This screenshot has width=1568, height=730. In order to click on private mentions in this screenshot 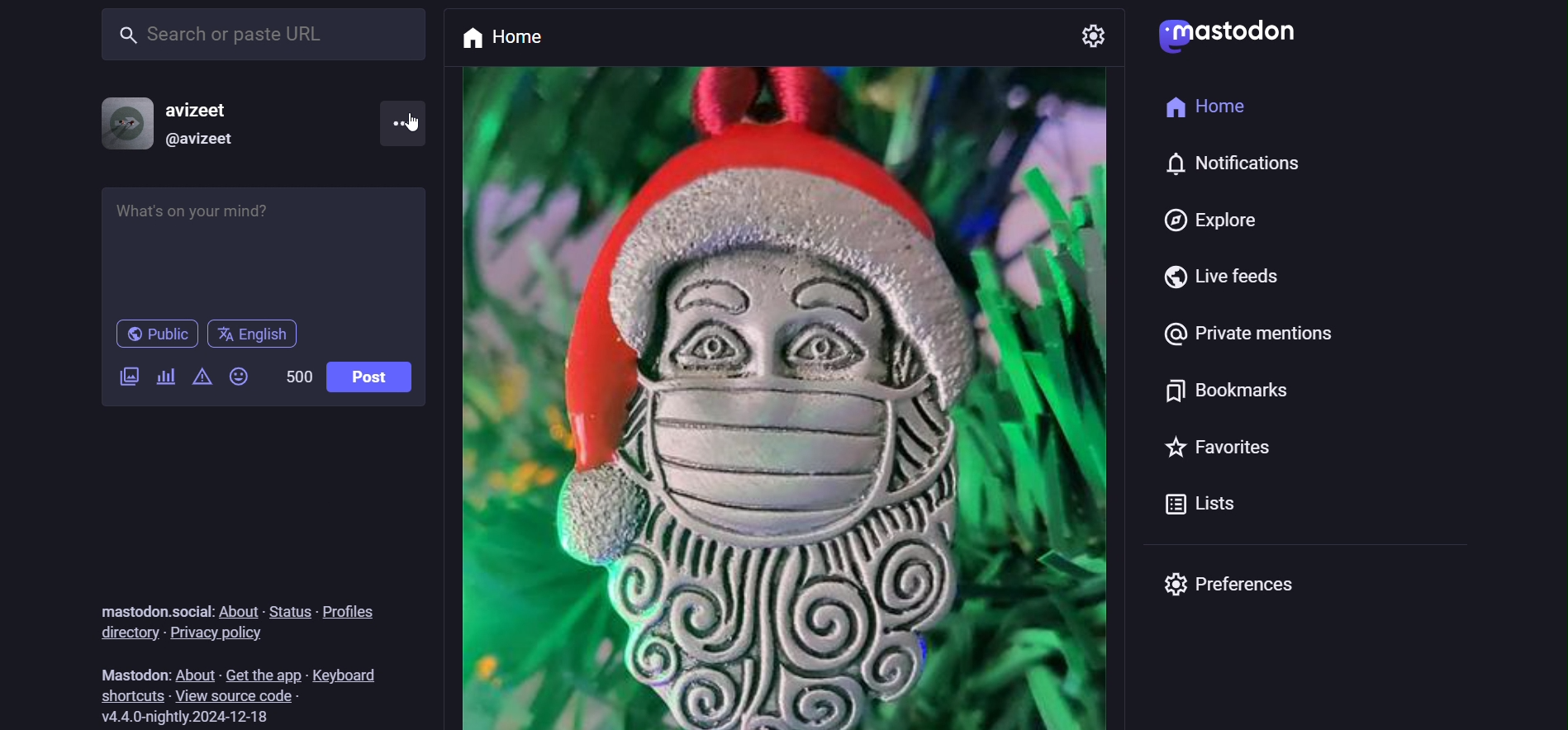, I will do `click(1252, 334)`.